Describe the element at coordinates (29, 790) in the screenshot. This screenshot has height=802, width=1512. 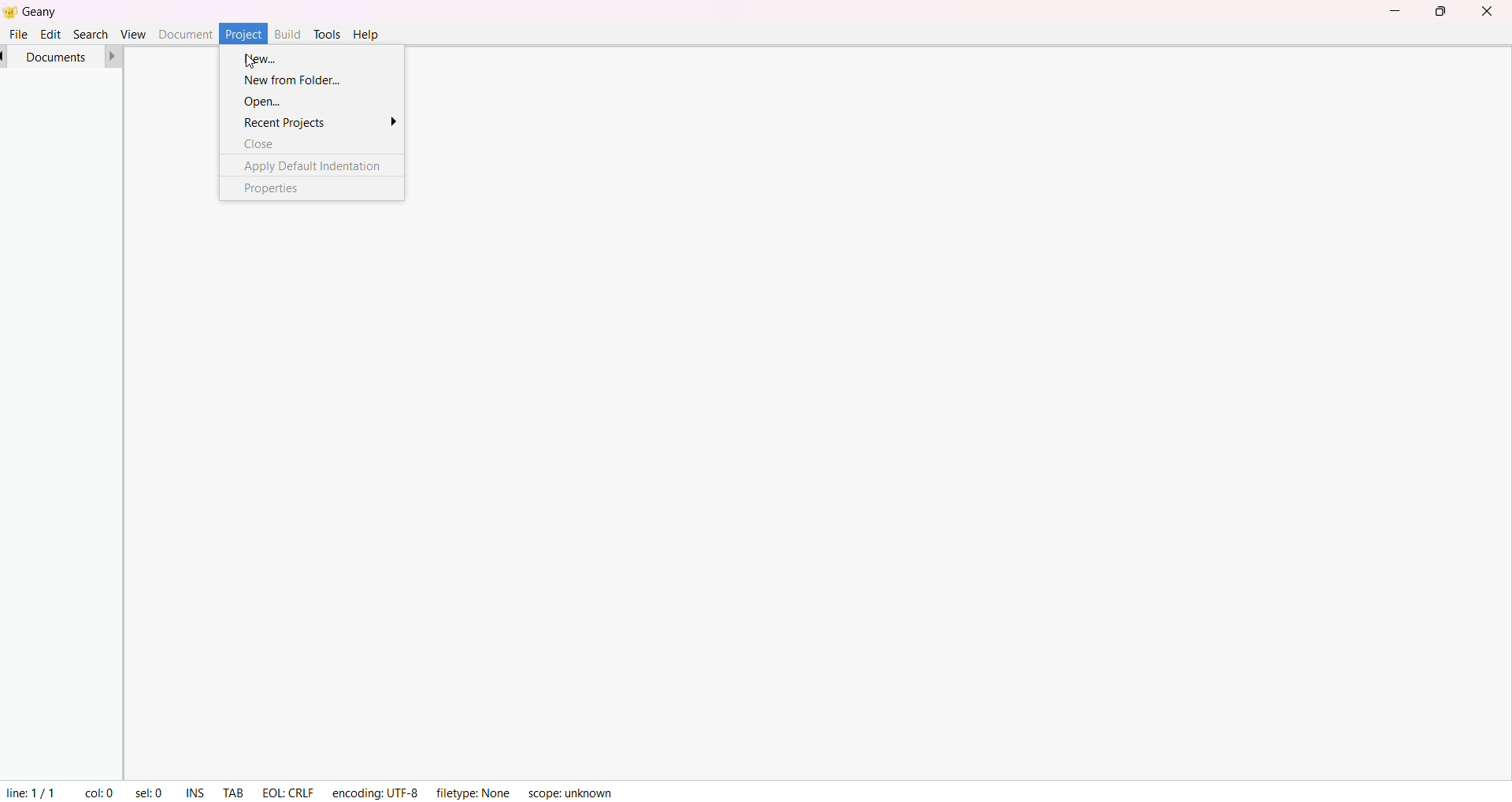
I see `line 1/1` at that location.